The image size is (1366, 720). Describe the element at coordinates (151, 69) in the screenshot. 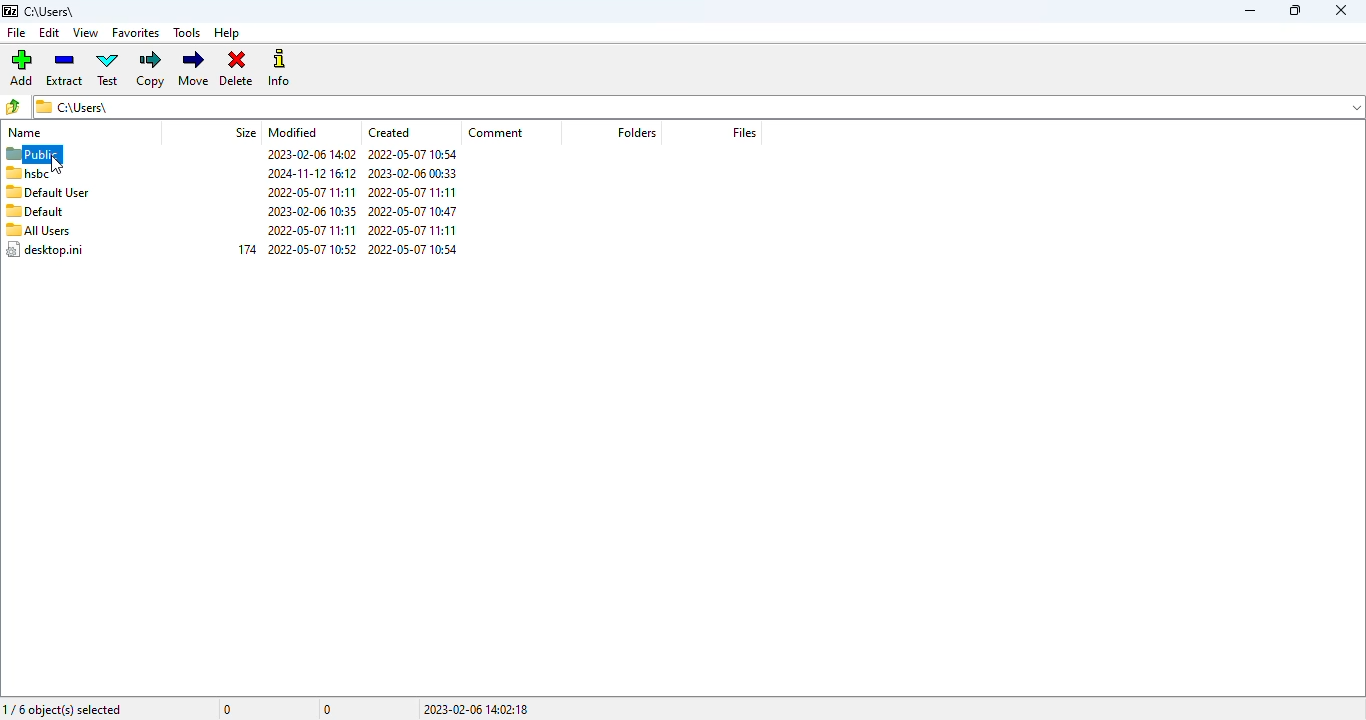

I see `copy` at that location.